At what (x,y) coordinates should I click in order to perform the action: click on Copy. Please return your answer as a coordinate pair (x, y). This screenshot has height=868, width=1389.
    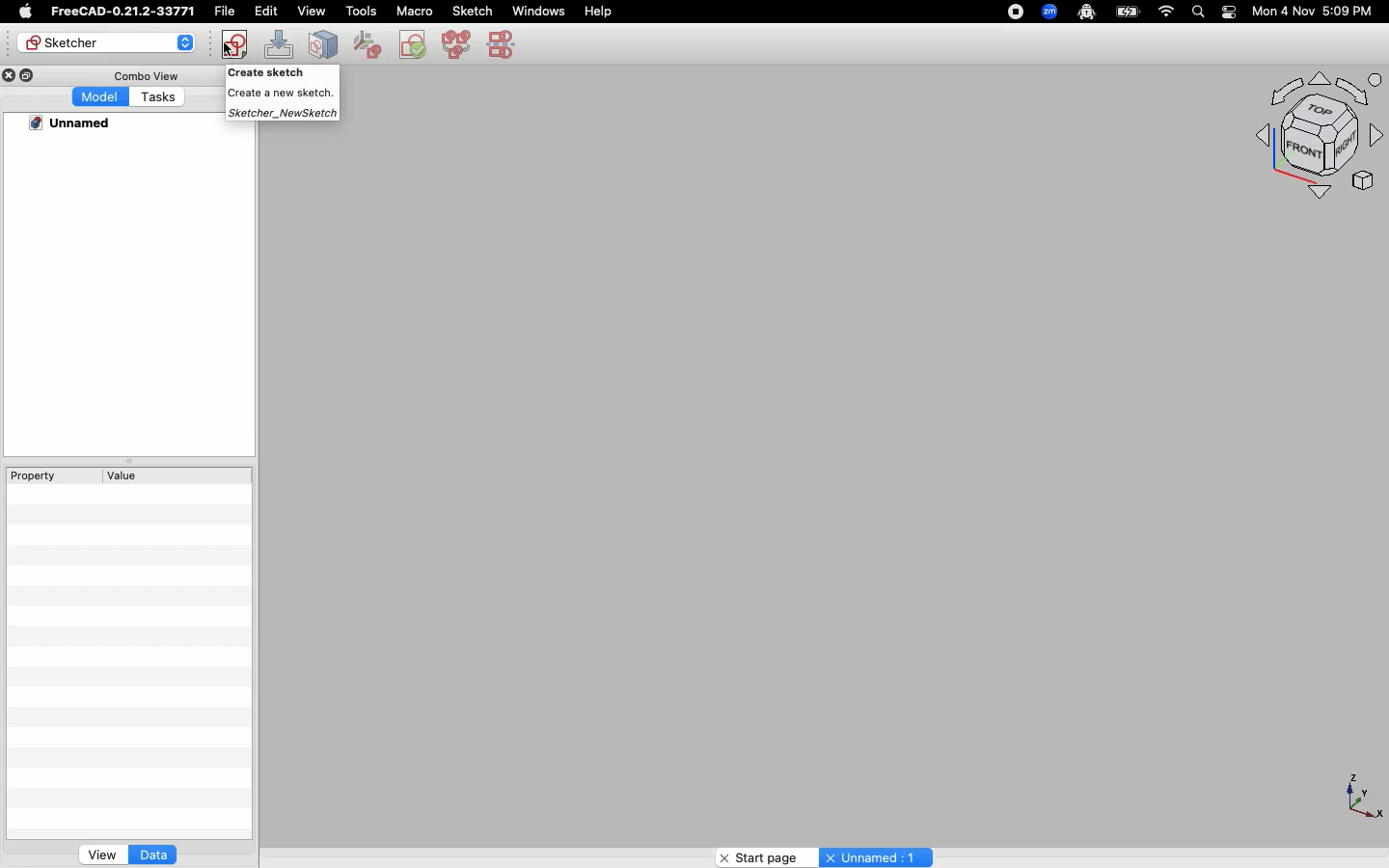
    Looking at the image, I should click on (29, 75).